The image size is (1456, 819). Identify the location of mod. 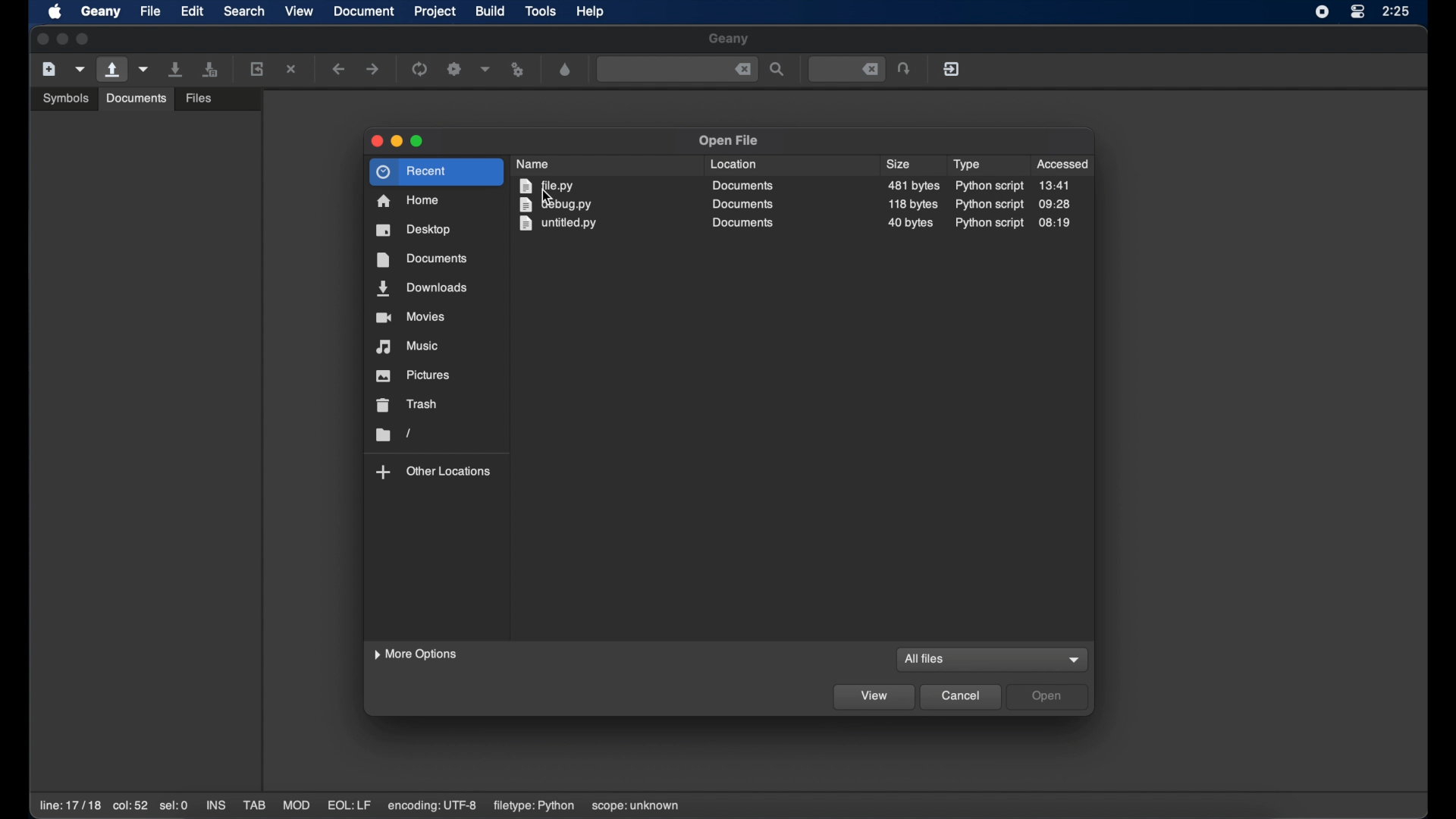
(297, 805).